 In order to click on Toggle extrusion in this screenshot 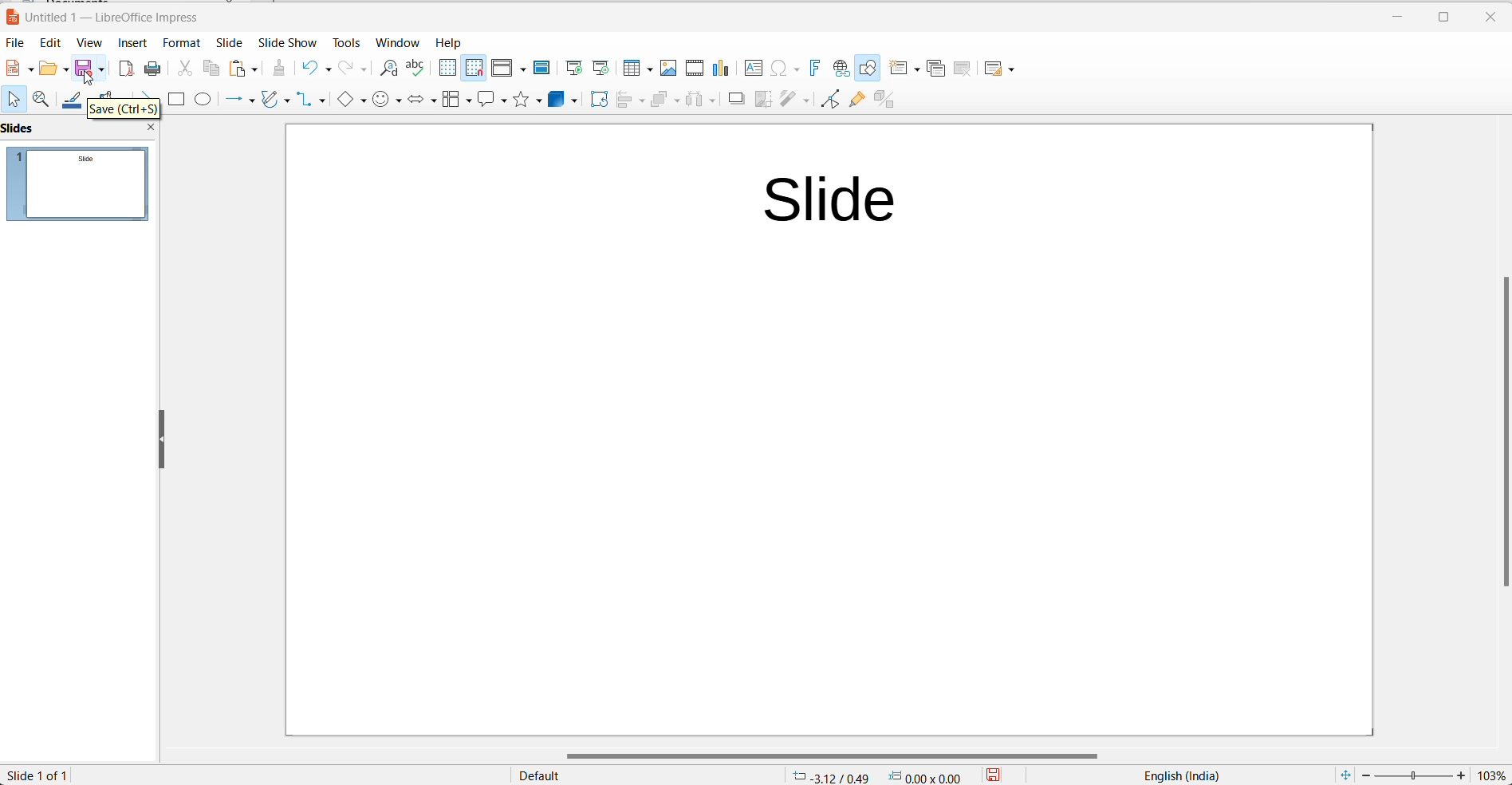, I will do `click(888, 101)`.